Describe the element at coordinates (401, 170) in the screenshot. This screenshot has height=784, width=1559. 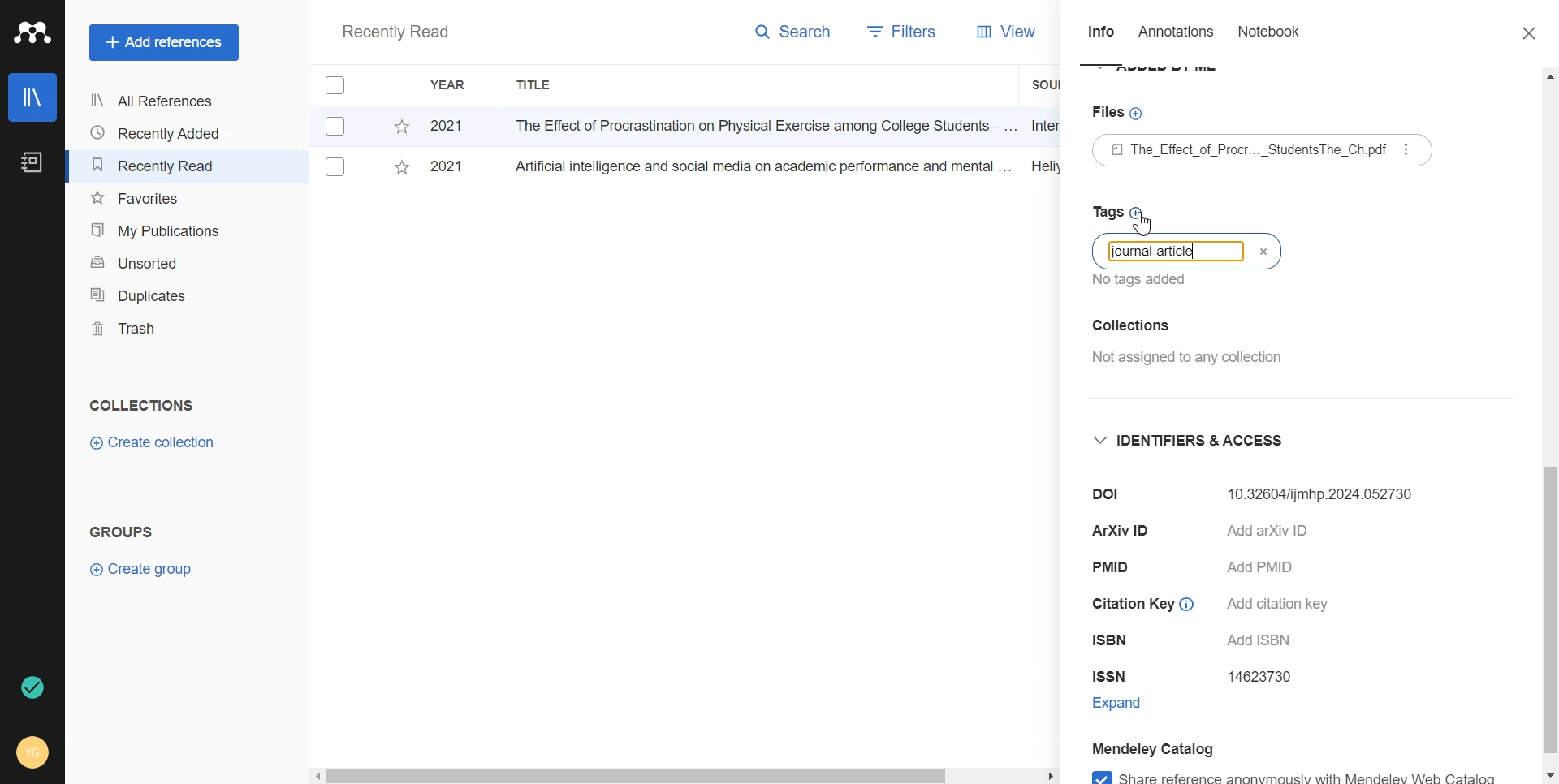
I see `Starred` at that location.